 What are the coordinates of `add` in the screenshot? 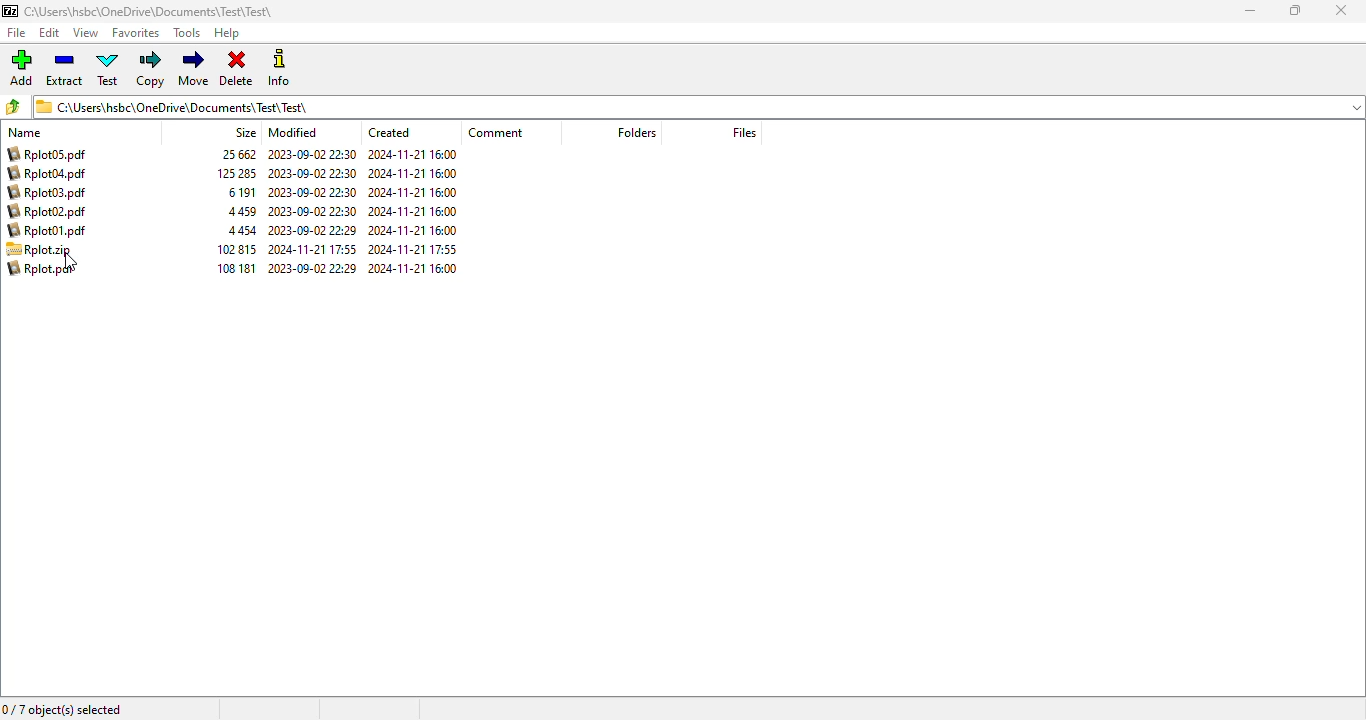 It's located at (22, 68).